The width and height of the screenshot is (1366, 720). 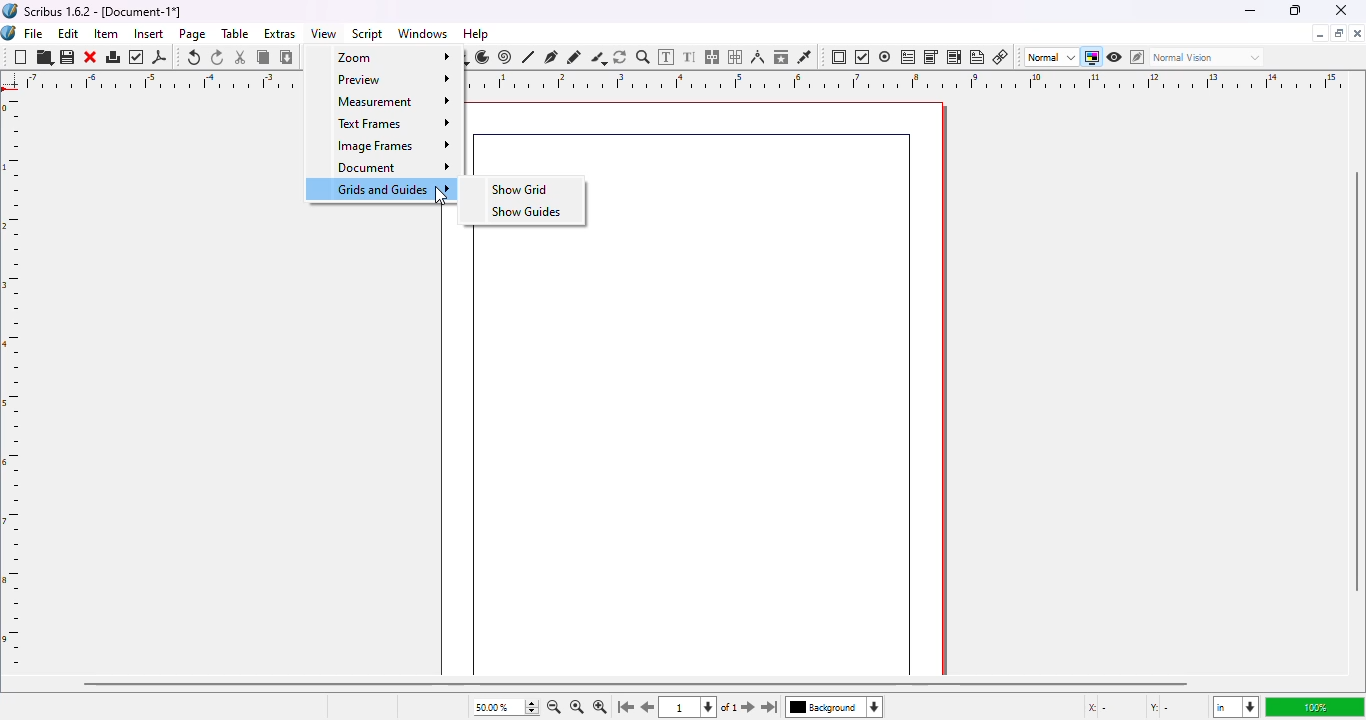 I want to click on normal, so click(x=1050, y=57).